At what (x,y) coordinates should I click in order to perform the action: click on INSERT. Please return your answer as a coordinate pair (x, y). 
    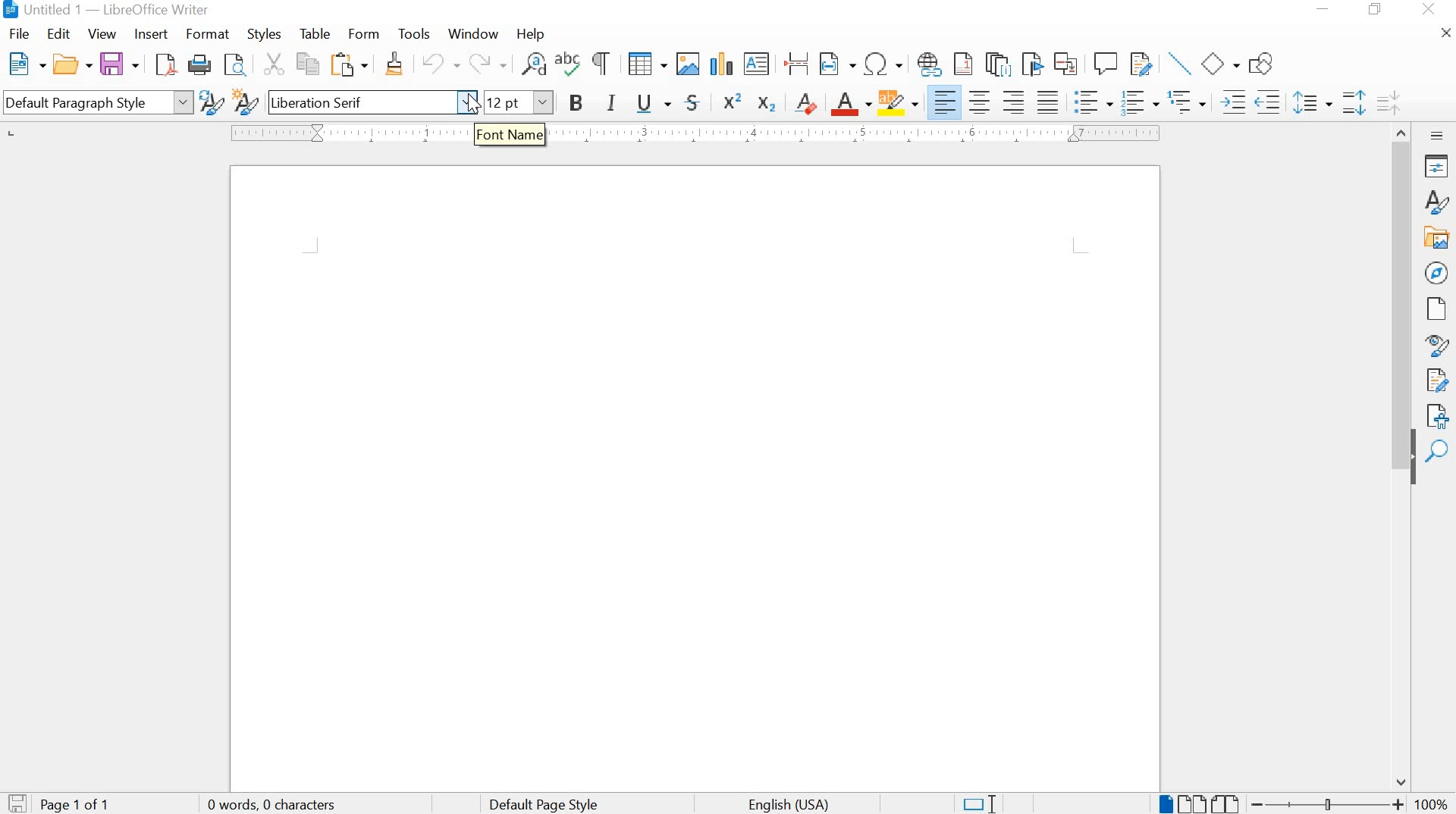
    Looking at the image, I should click on (149, 34).